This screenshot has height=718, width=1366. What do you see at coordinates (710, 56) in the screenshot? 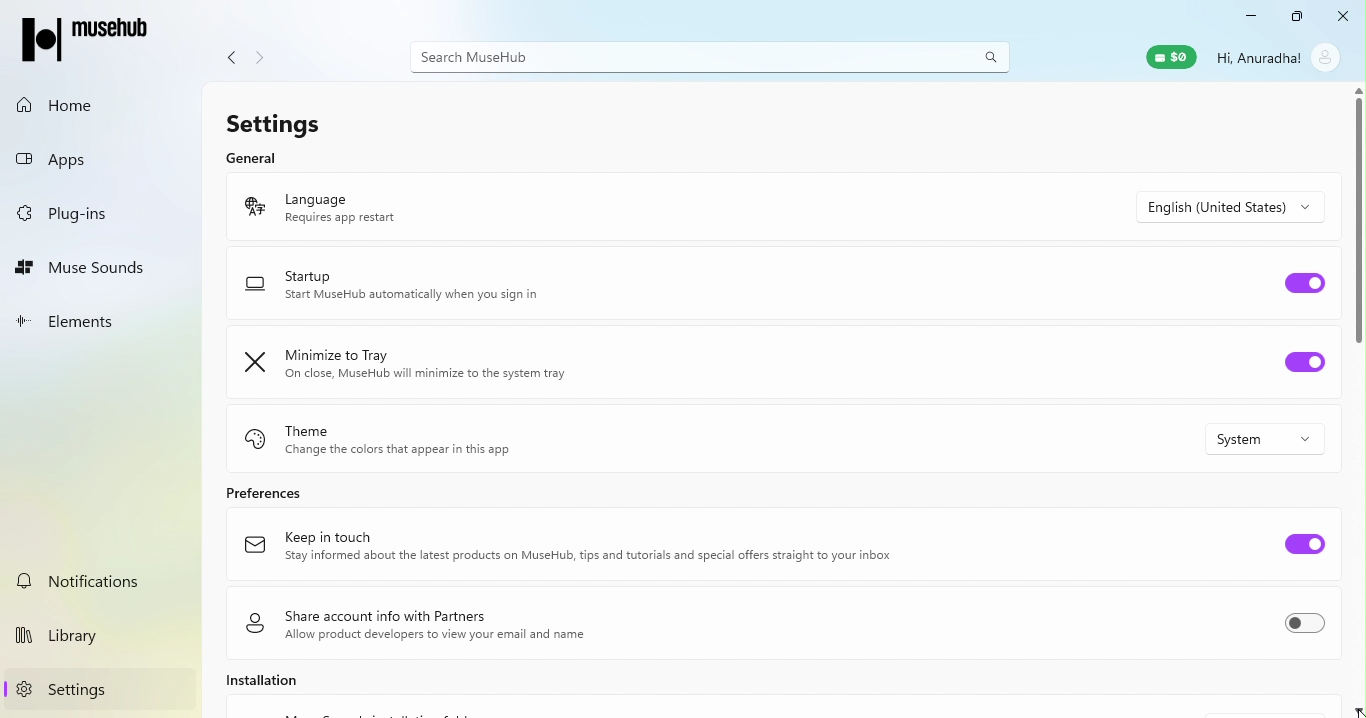
I see `Search bar` at bounding box center [710, 56].